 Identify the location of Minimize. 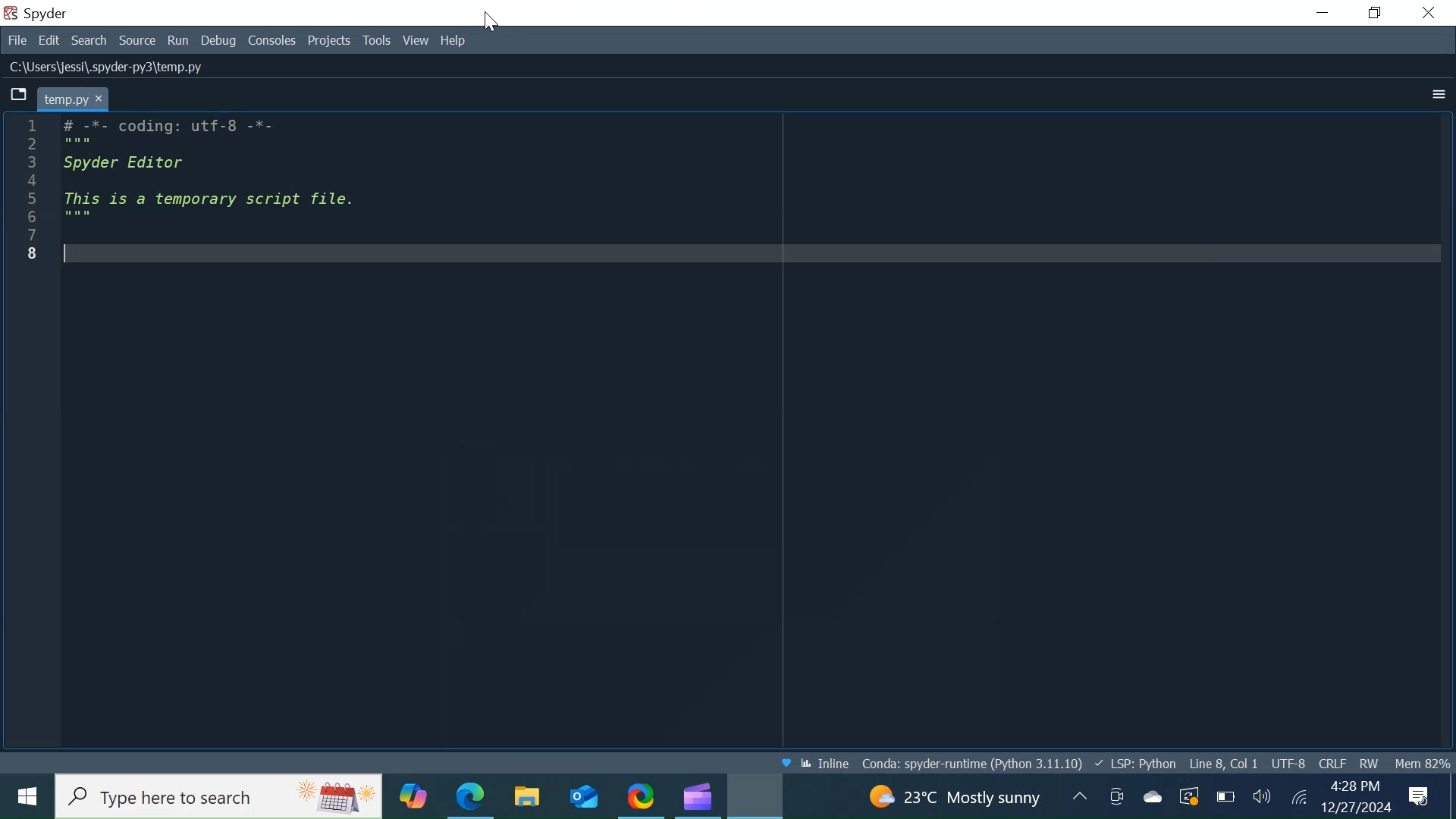
(1321, 13).